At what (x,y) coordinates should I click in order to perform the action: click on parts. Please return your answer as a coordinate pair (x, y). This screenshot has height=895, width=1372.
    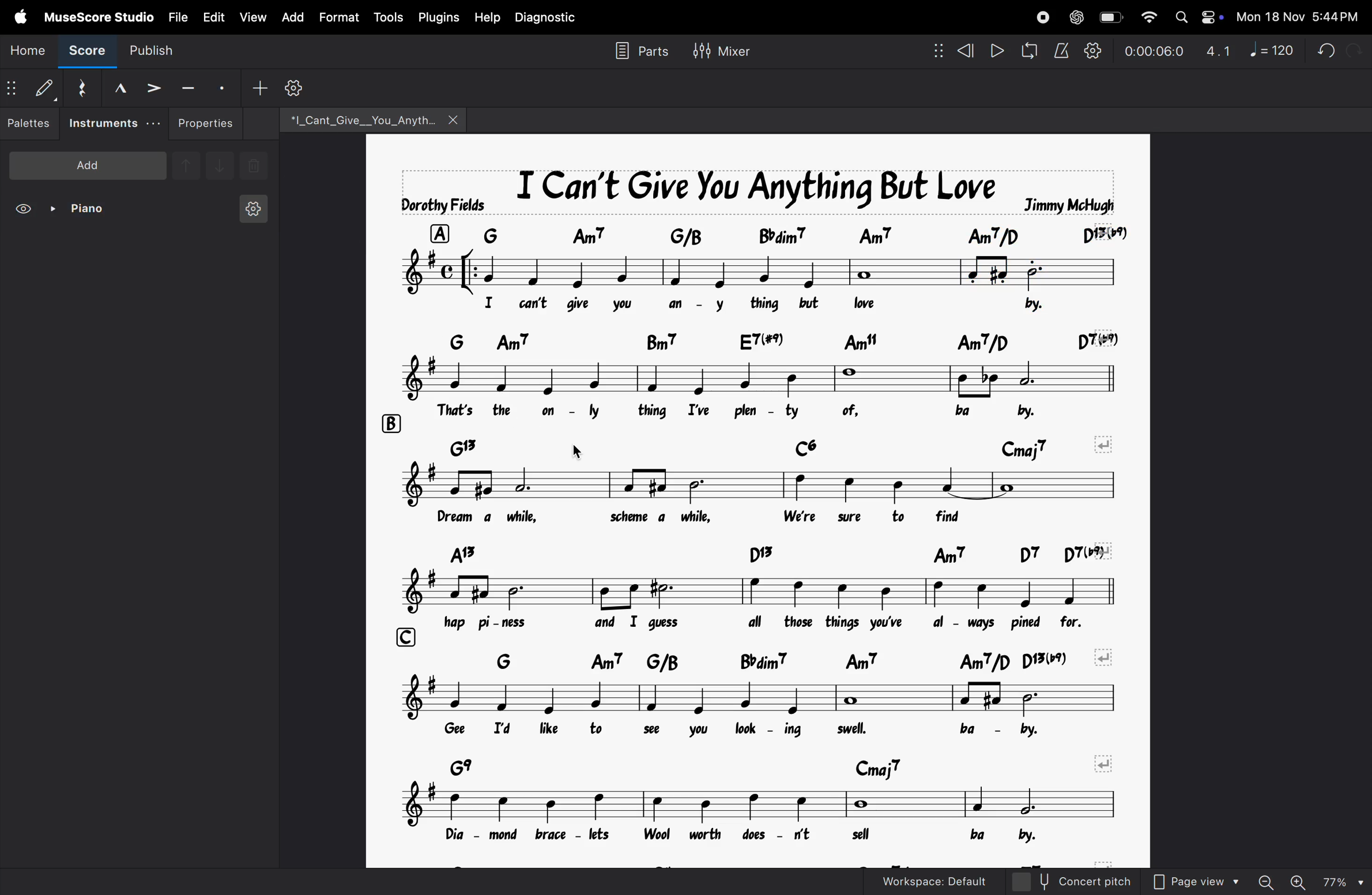
    Looking at the image, I should click on (641, 51).